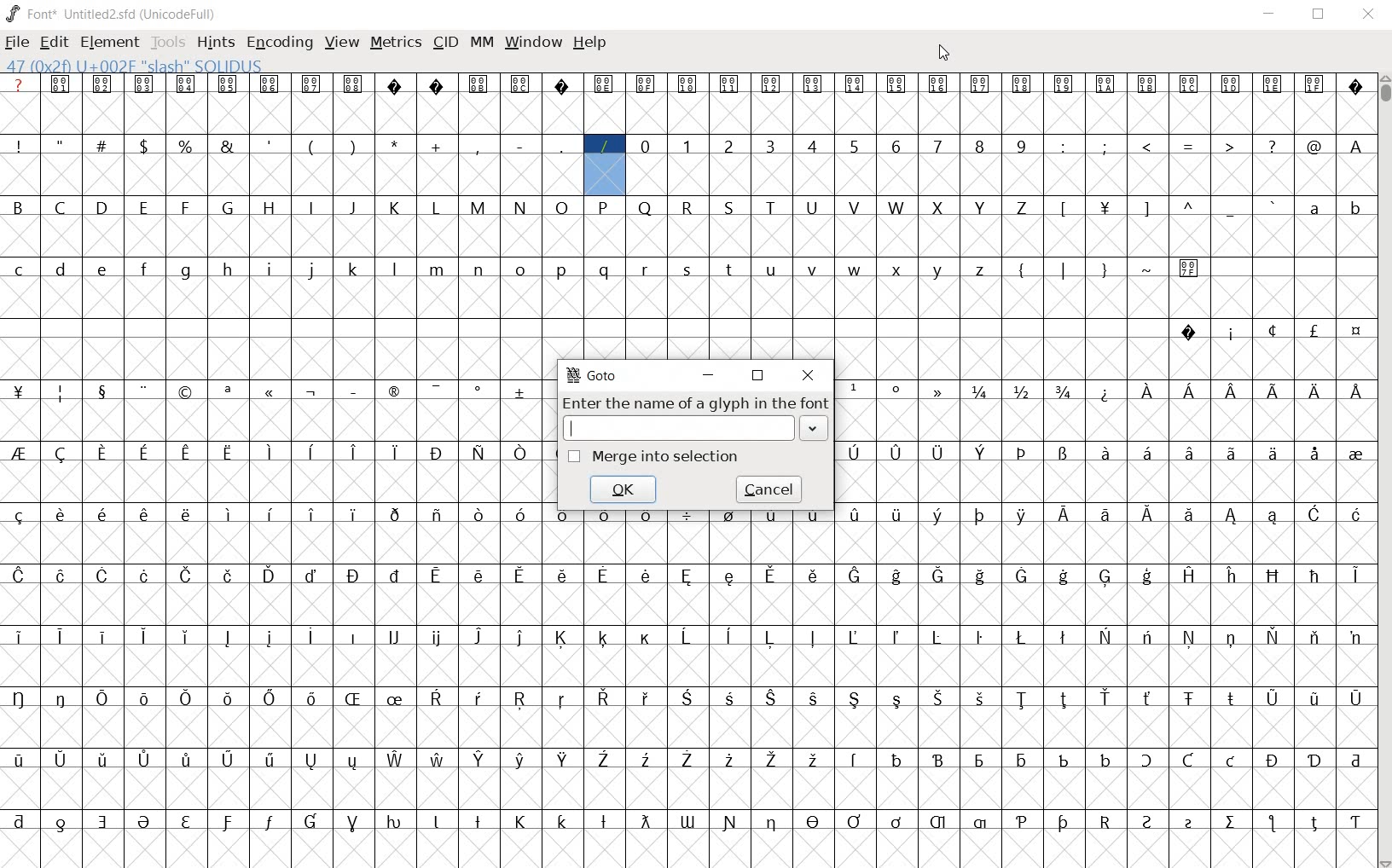  Describe the element at coordinates (478, 760) in the screenshot. I see `glyph` at that location.